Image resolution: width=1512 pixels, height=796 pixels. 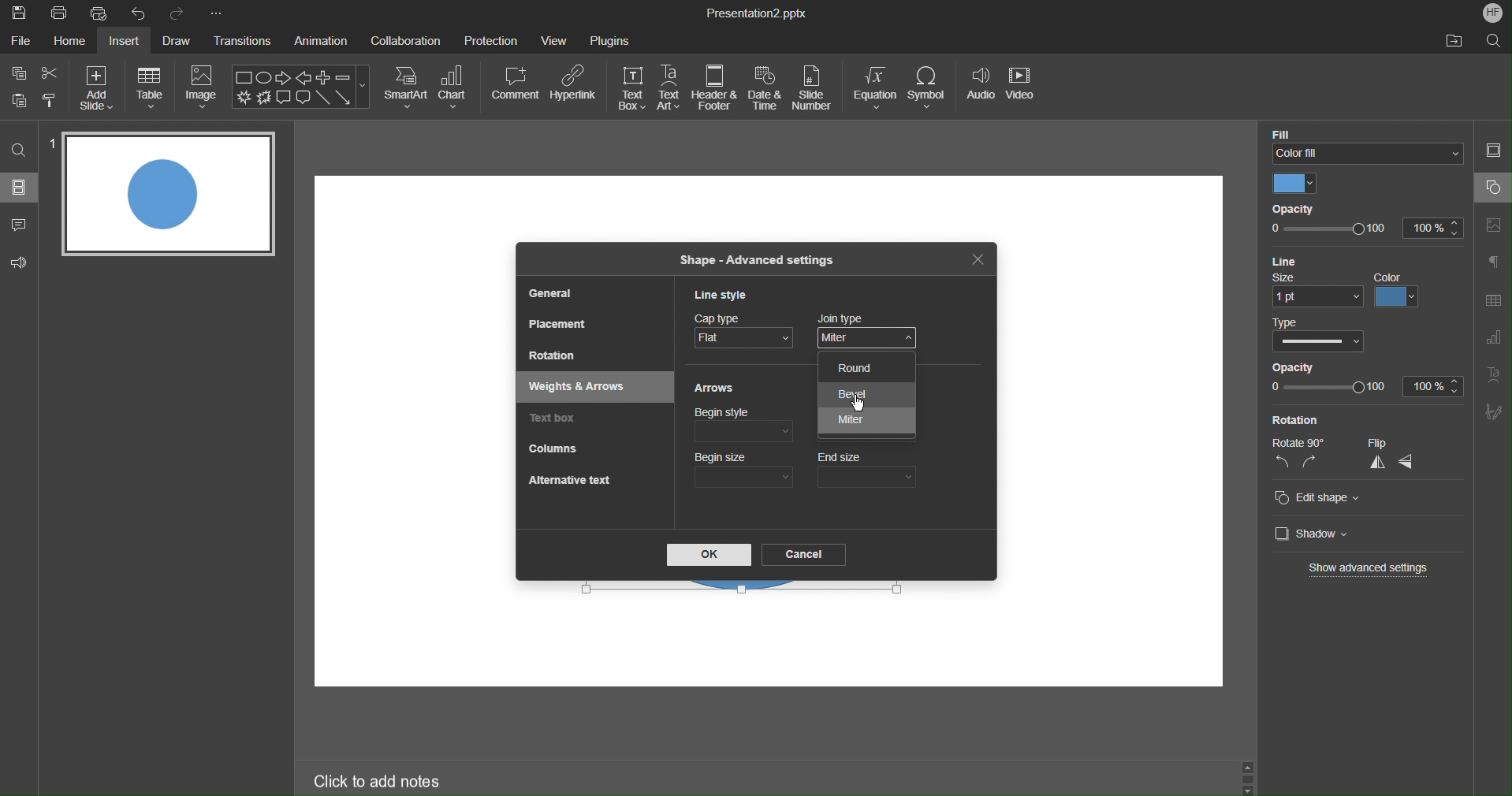 What do you see at coordinates (455, 87) in the screenshot?
I see `Chart` at bounding box center [455, 87].